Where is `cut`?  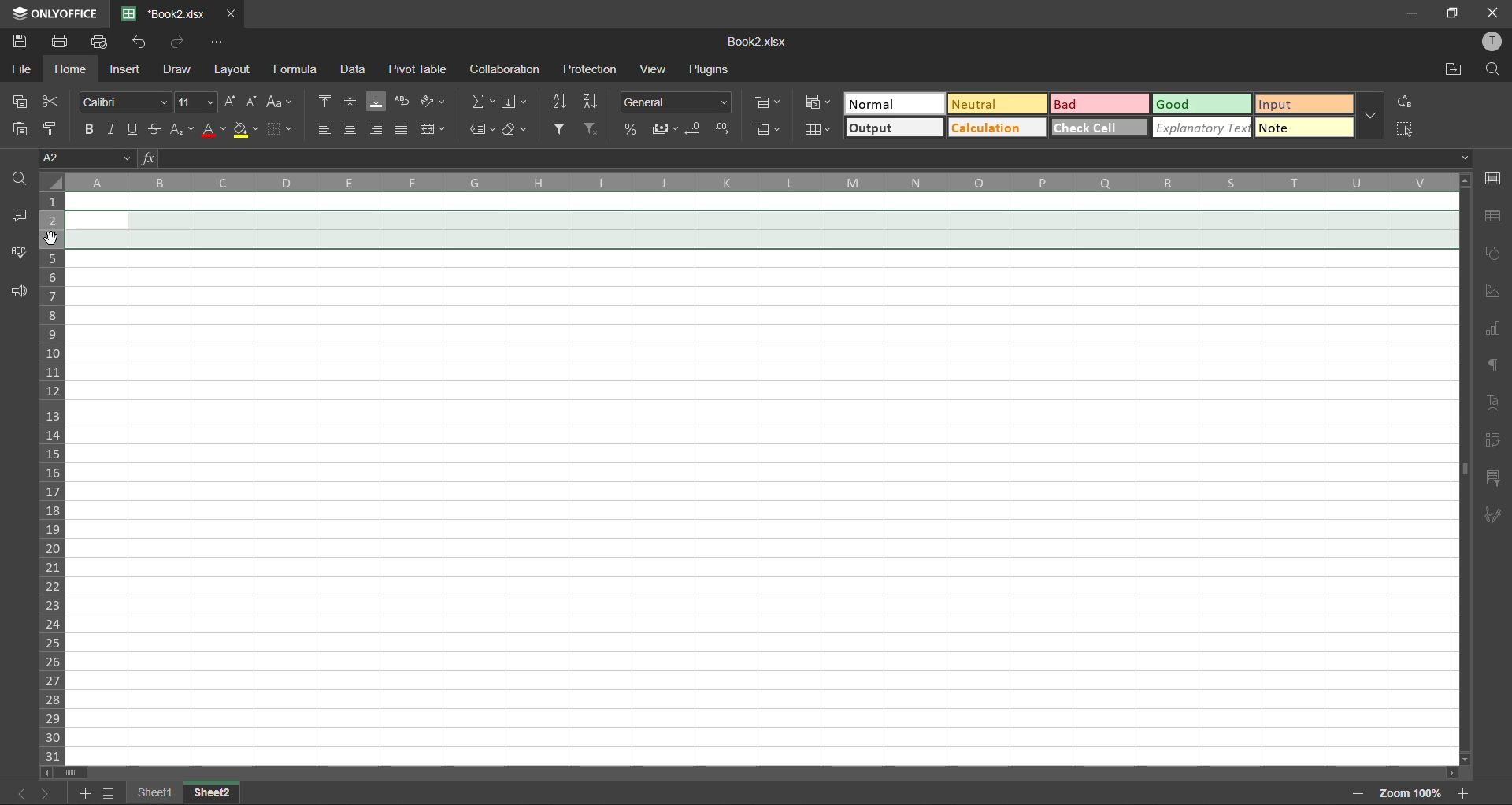 cut is located at coordinates (52, 103).